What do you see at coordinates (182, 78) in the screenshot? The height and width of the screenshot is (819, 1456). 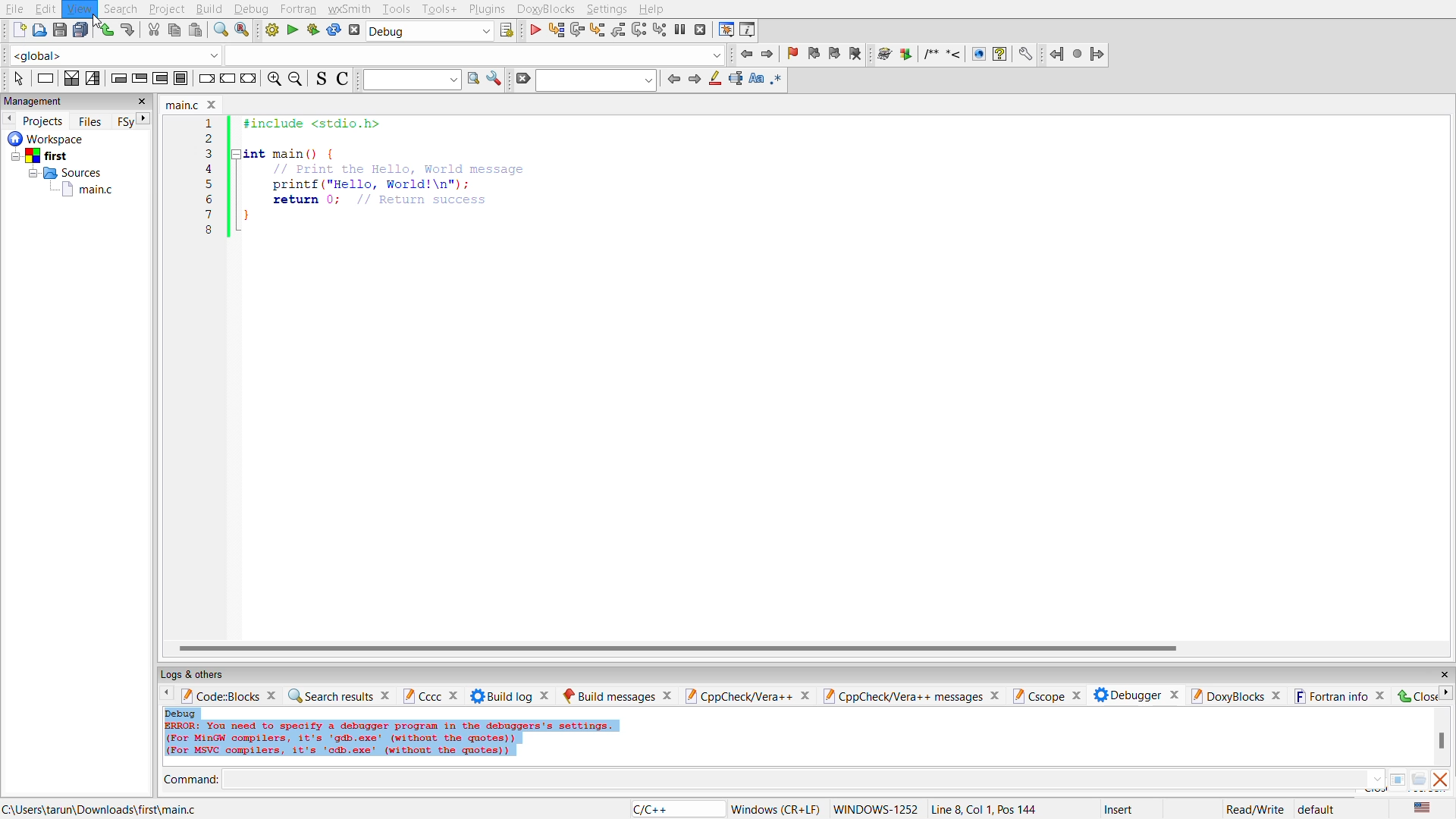 I see `block inctruction` at bounding box center [182, 78].